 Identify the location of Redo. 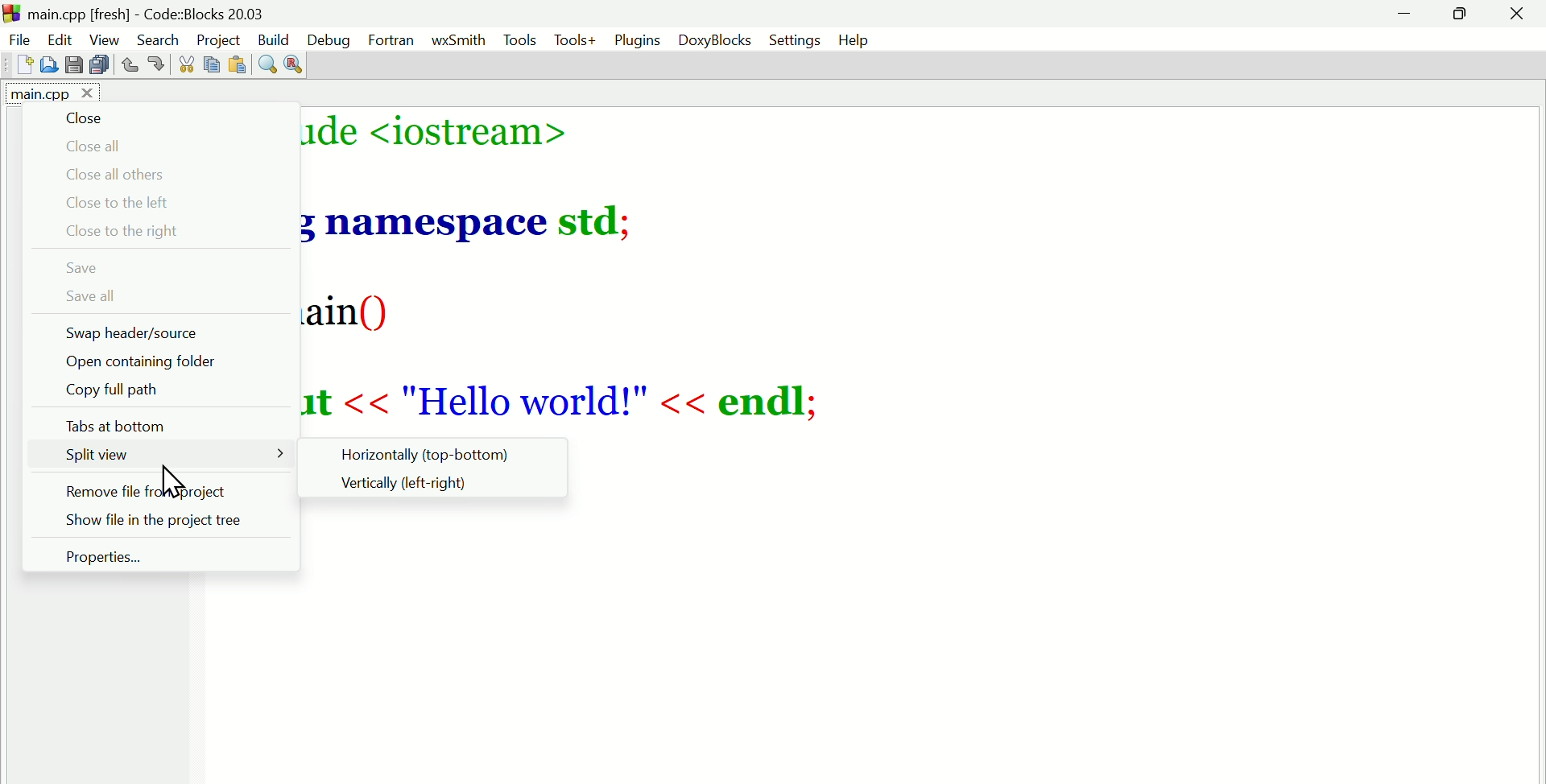
(159, 66).